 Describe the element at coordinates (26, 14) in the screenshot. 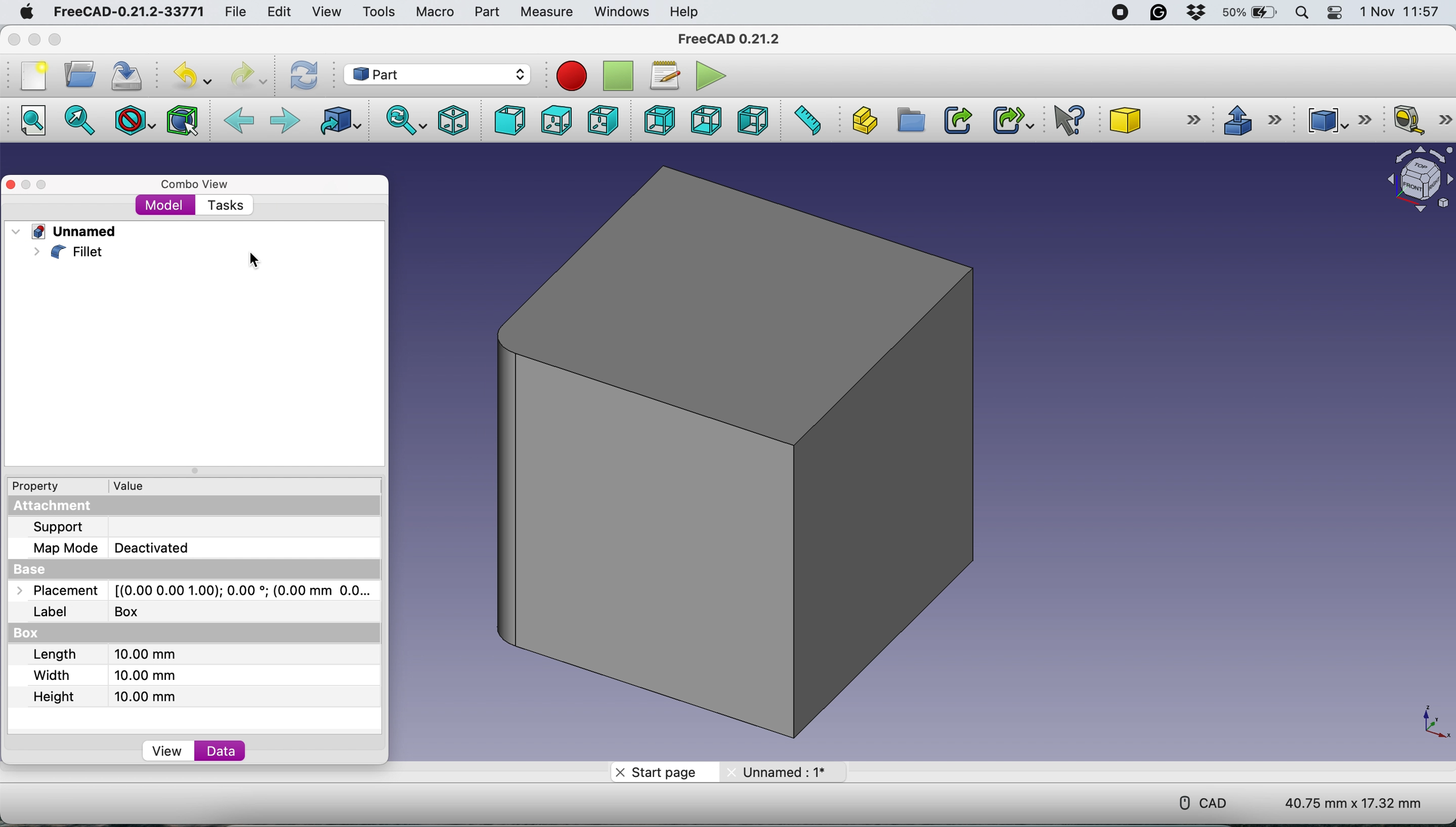

I see `system logo` at that location.